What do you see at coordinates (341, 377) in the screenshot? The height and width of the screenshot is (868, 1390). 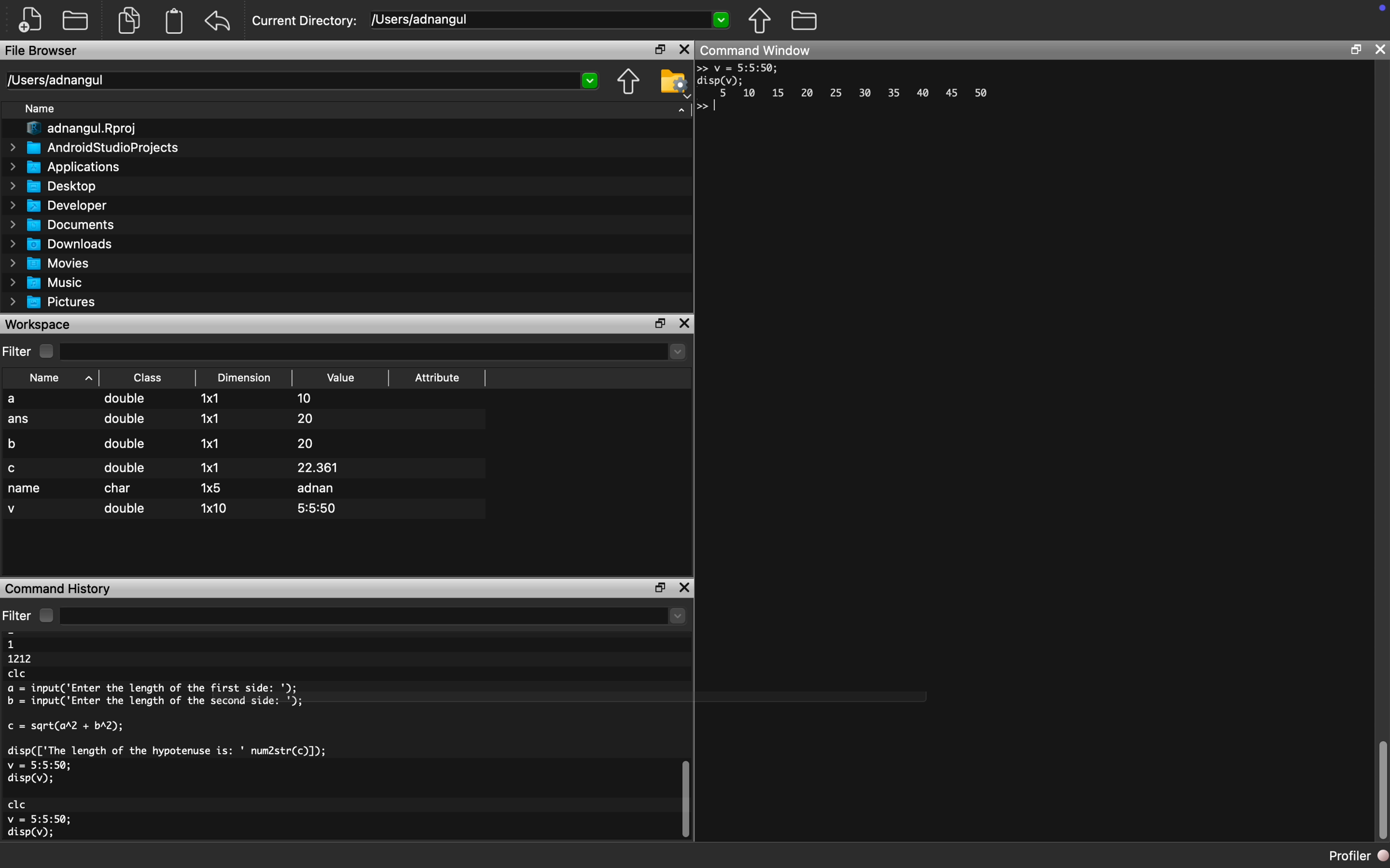 I see `Value` at bounding box center [341, 377].